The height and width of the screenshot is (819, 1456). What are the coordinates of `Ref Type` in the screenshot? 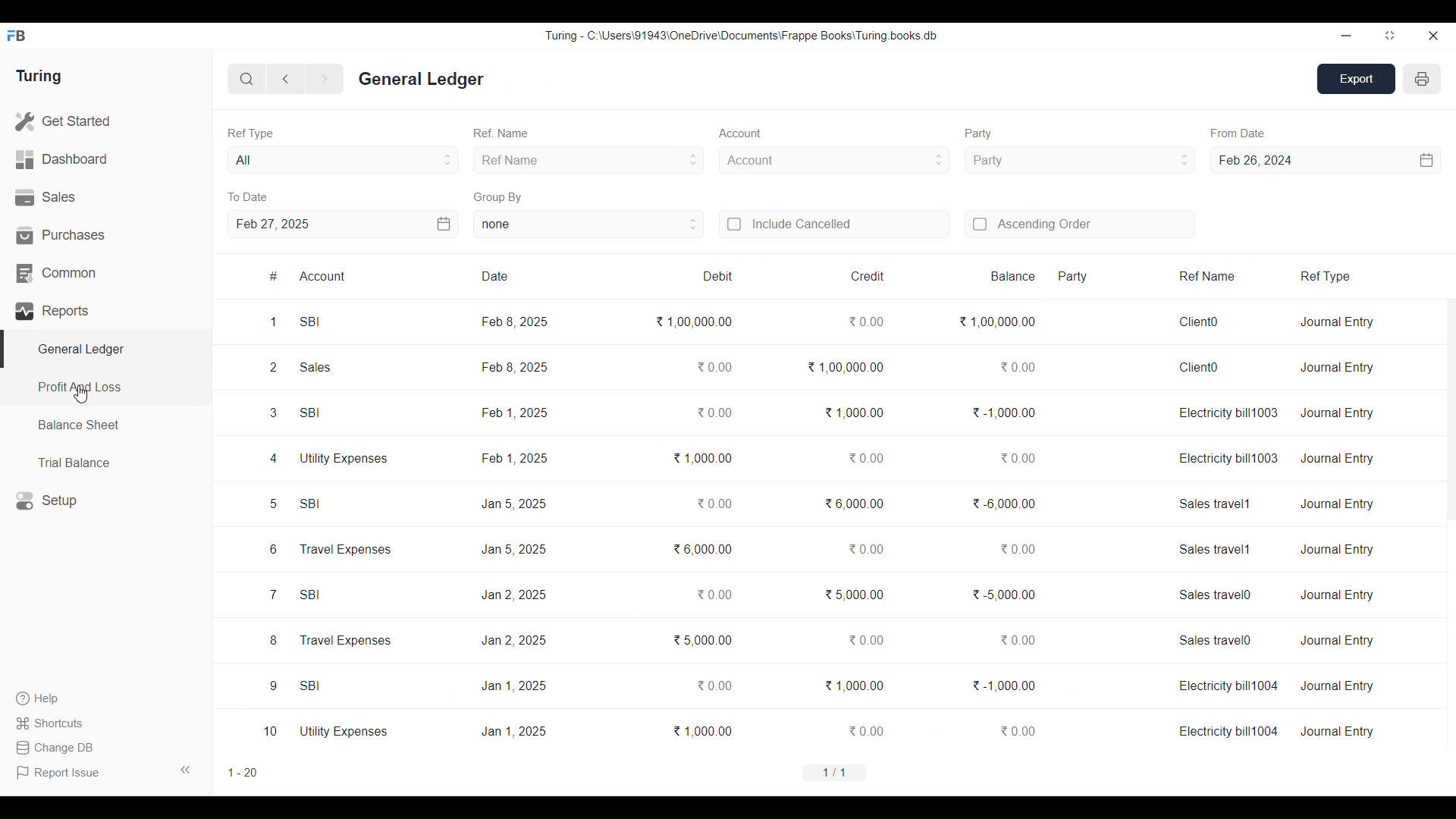 It's located at (1363, 277).